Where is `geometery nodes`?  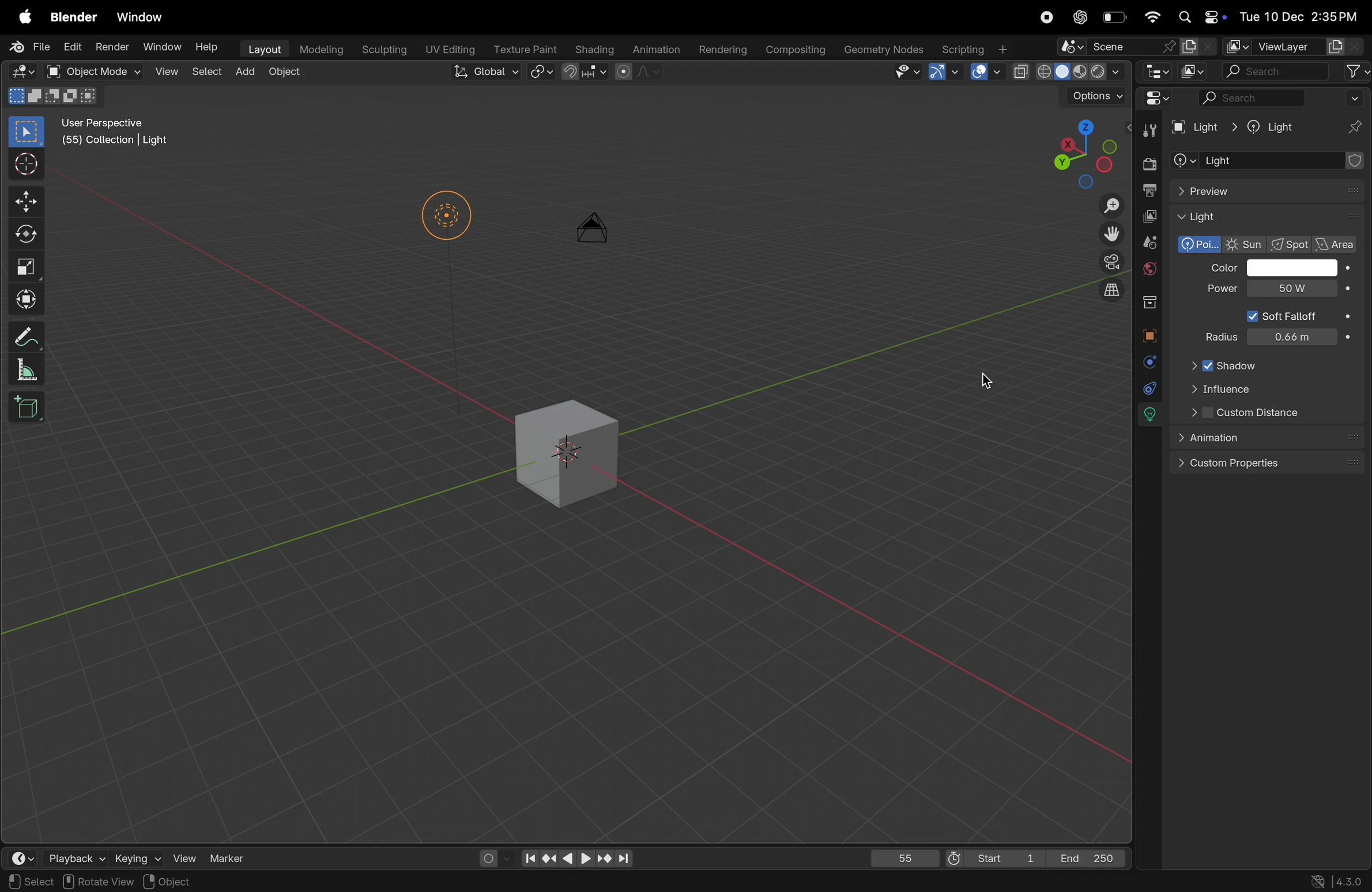 geometery nodes is located at coordinates (884, 48).